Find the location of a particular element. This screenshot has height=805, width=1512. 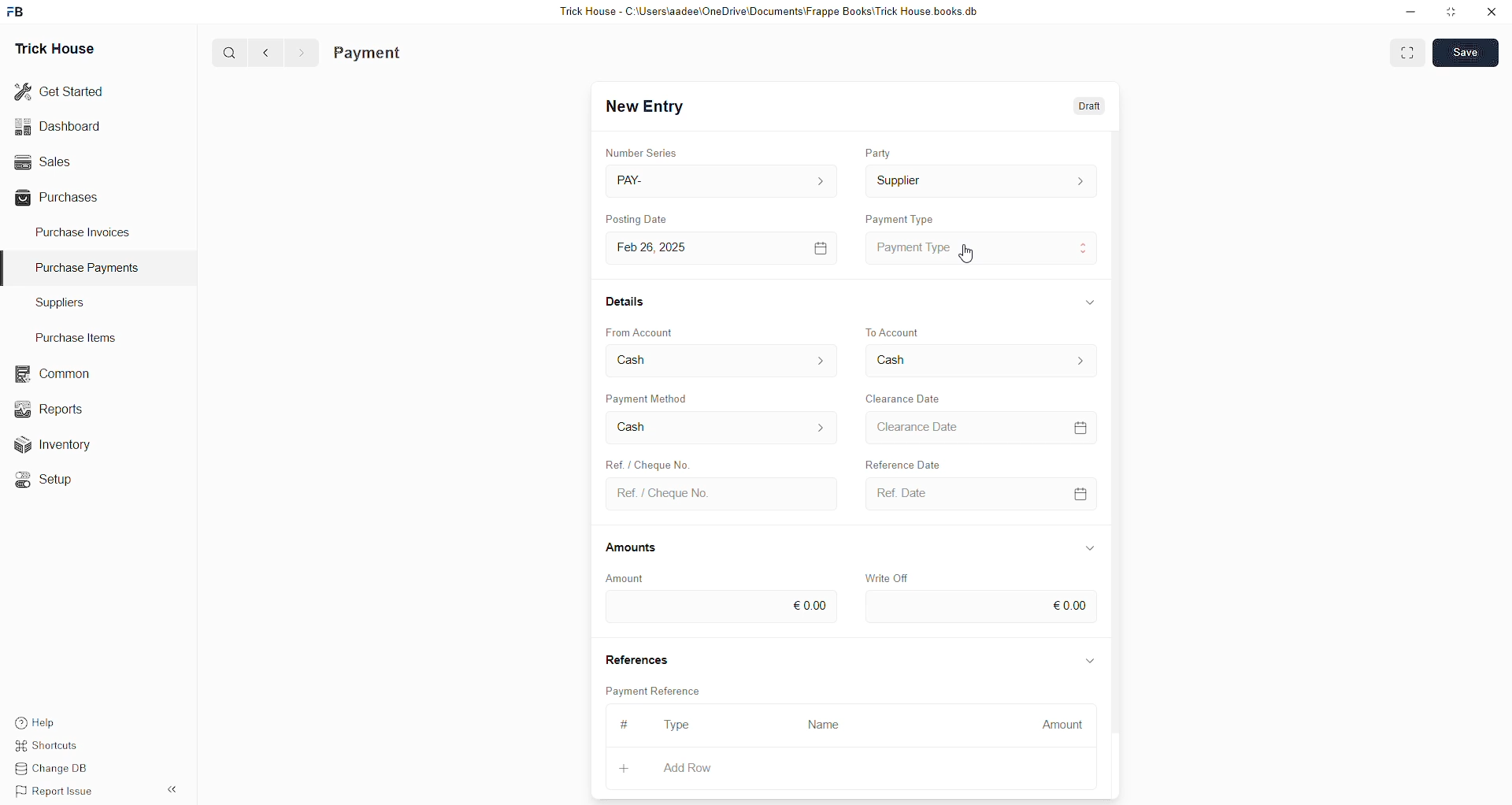

search is located at coordinates (231, 53).